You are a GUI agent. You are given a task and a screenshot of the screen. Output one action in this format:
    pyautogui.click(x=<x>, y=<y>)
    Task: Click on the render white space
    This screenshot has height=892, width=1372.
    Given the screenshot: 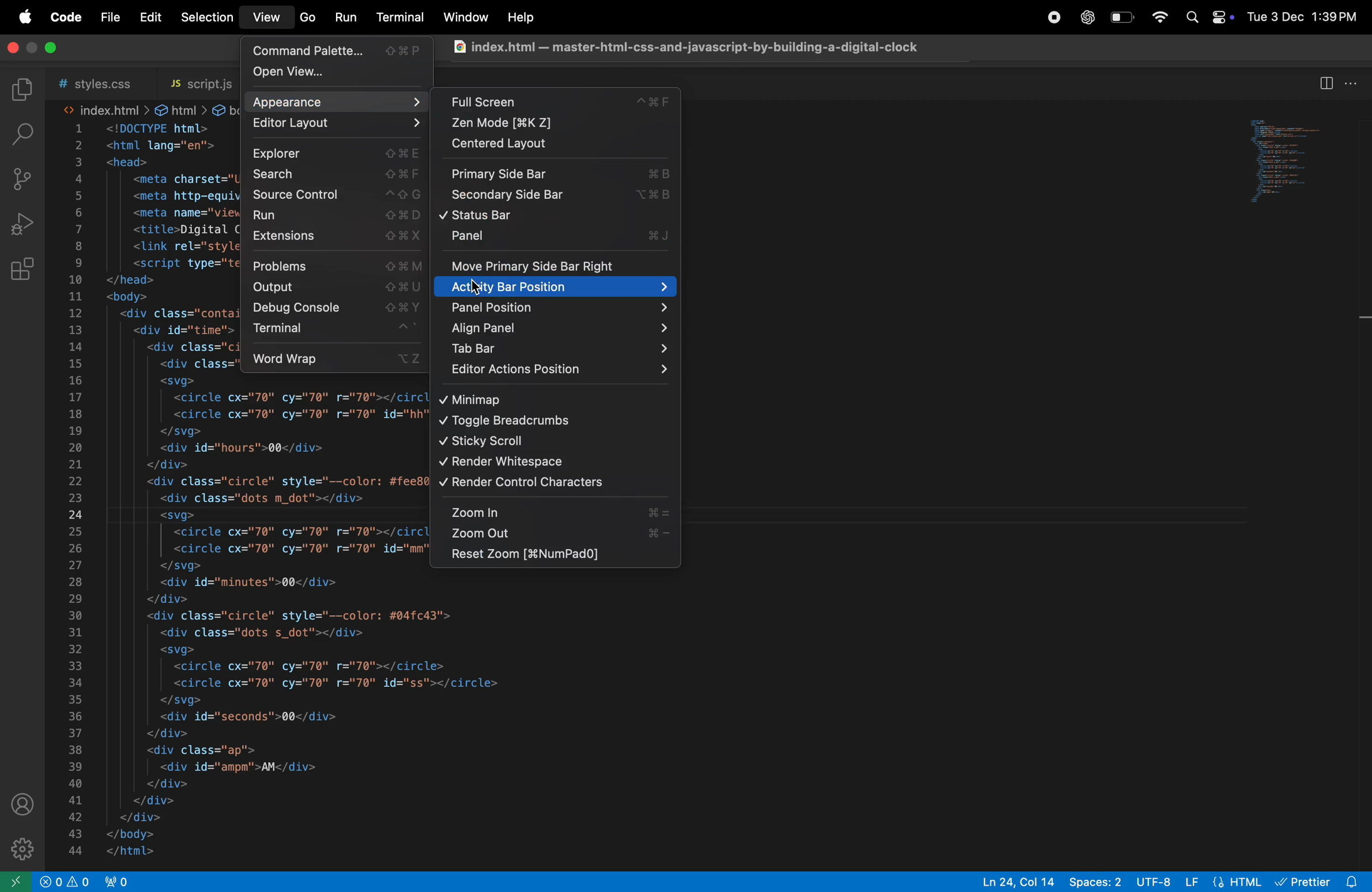 What is the action you would take?
    pyautogui.click(x=549, y=463)
    